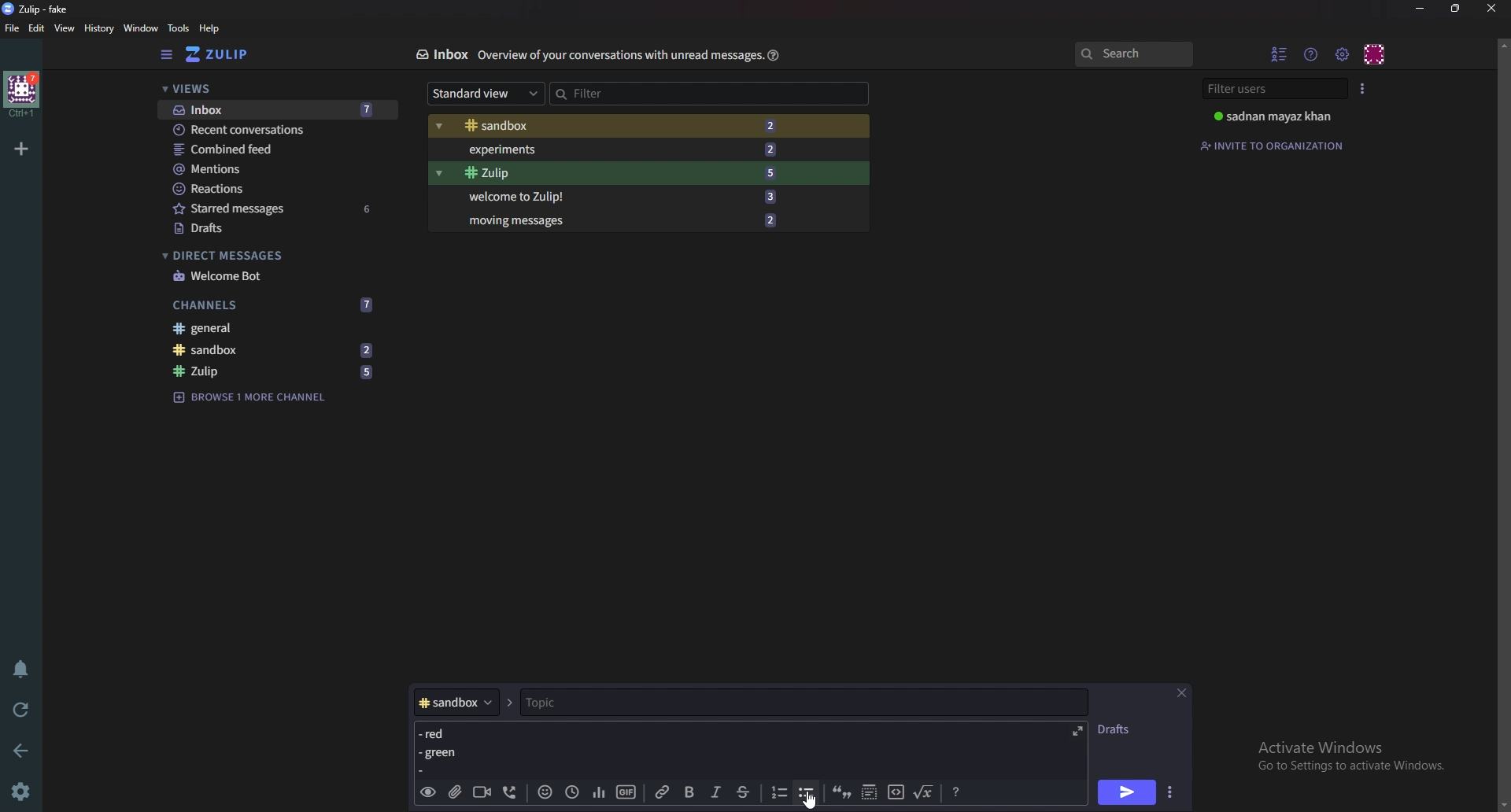 The width and height of the screenshot is (1511, 812). I want to click on Channels, so click(274, 305).